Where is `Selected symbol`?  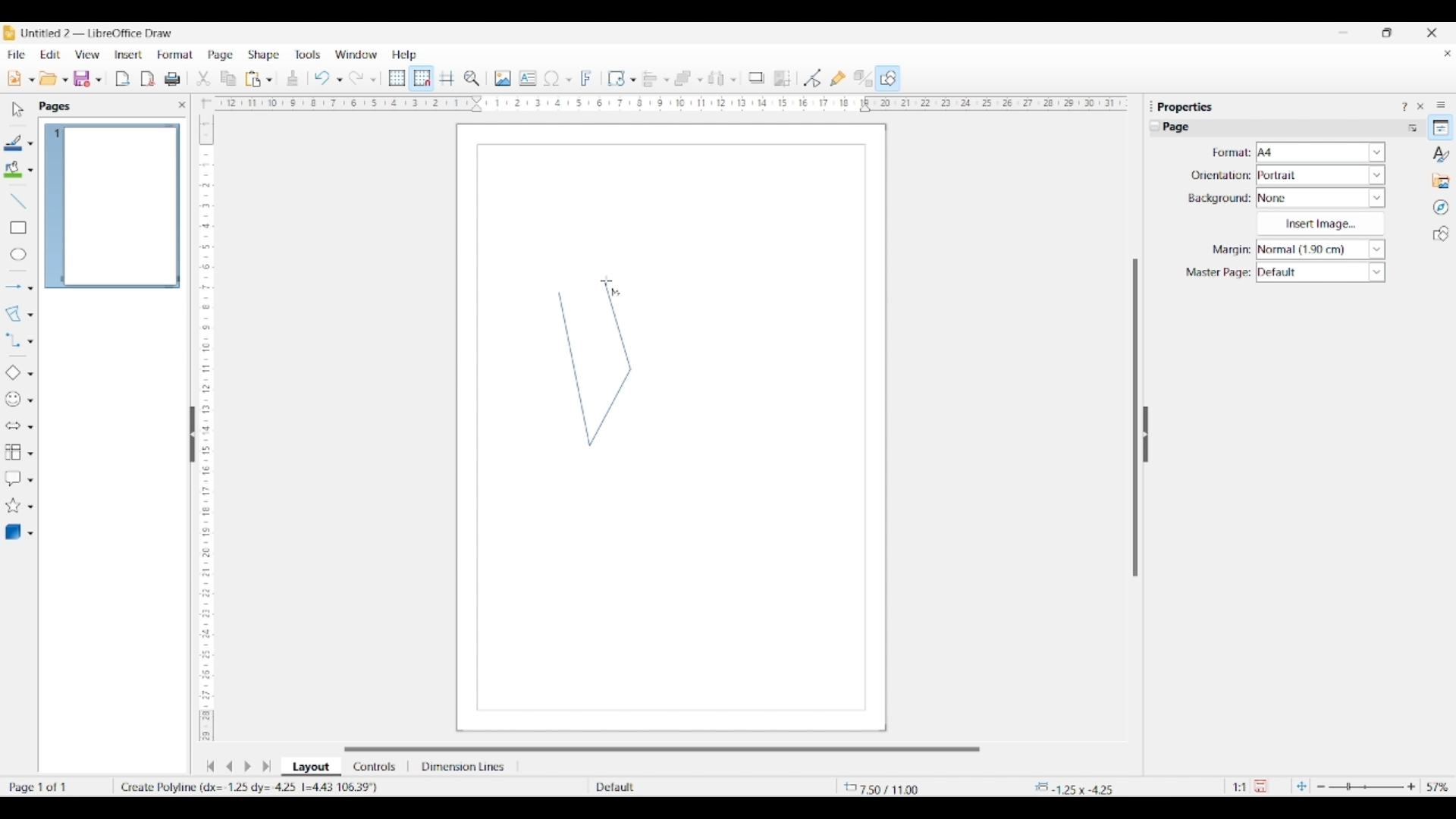 Selected symbol is located at coordinates (14, 400).